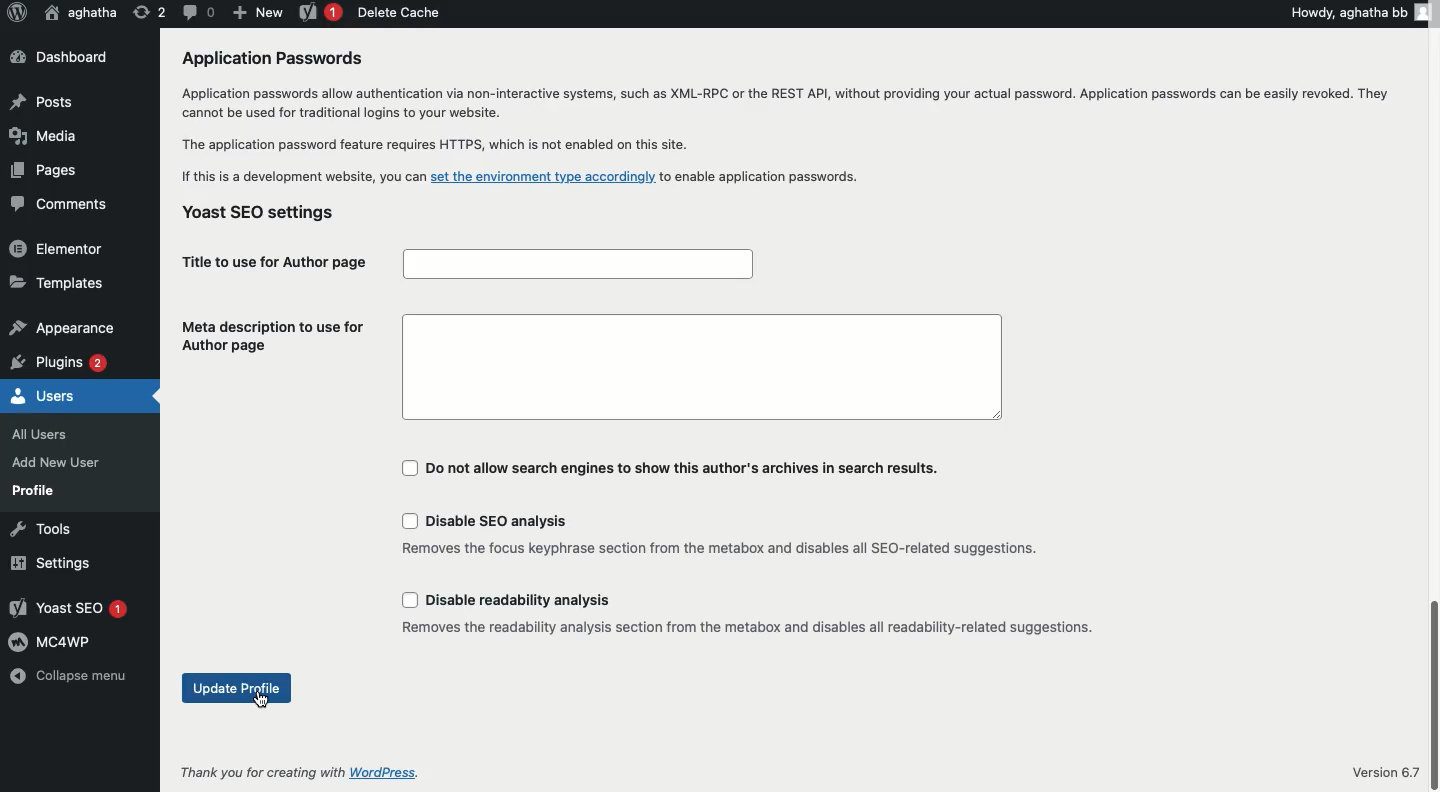 The image size is (1440, 792). What do you see at coordinates (1432, 395) in the screenshot?
I see `Scrollbar` at bounding box center [1432, 395].